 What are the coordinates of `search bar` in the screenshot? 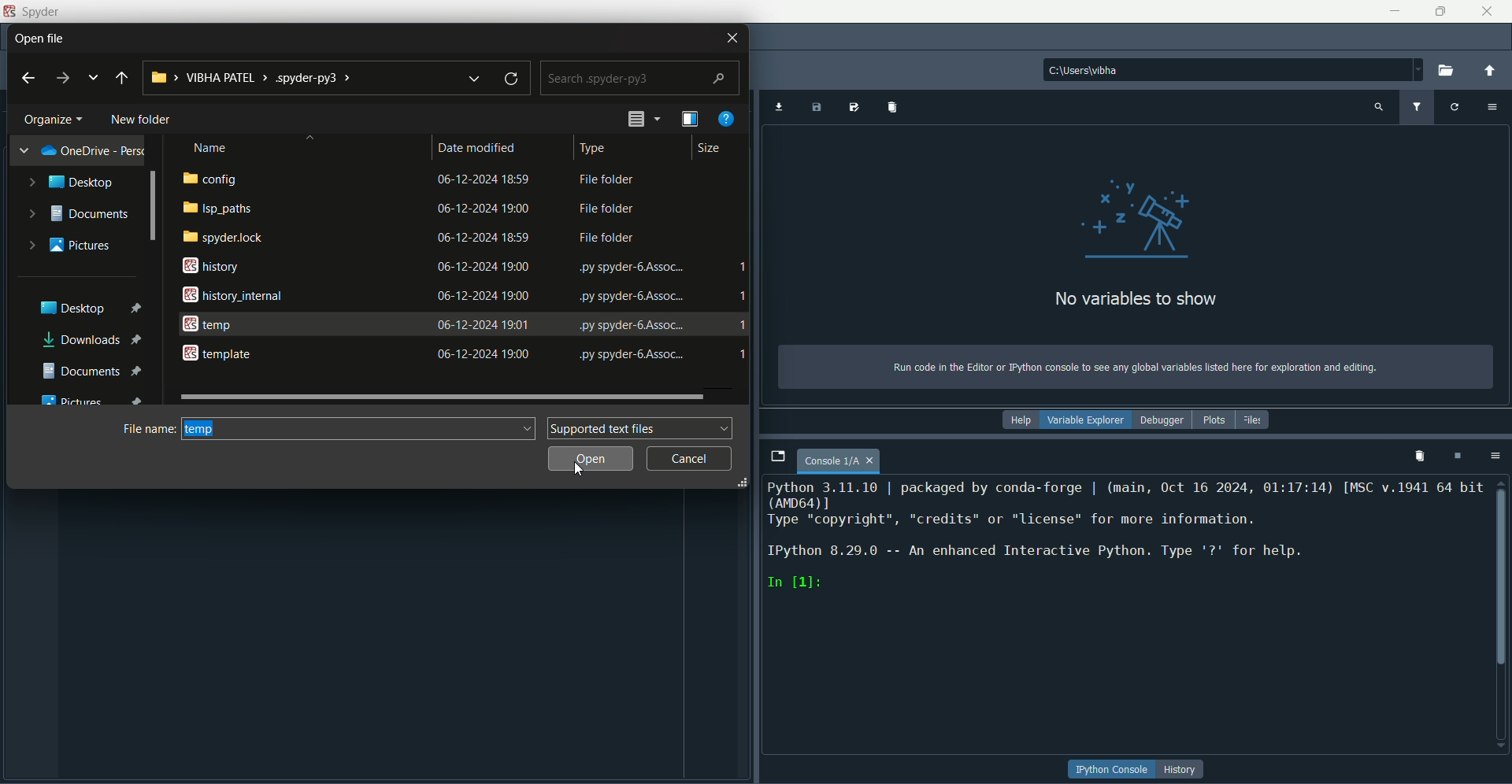 It's located at (639, 78).